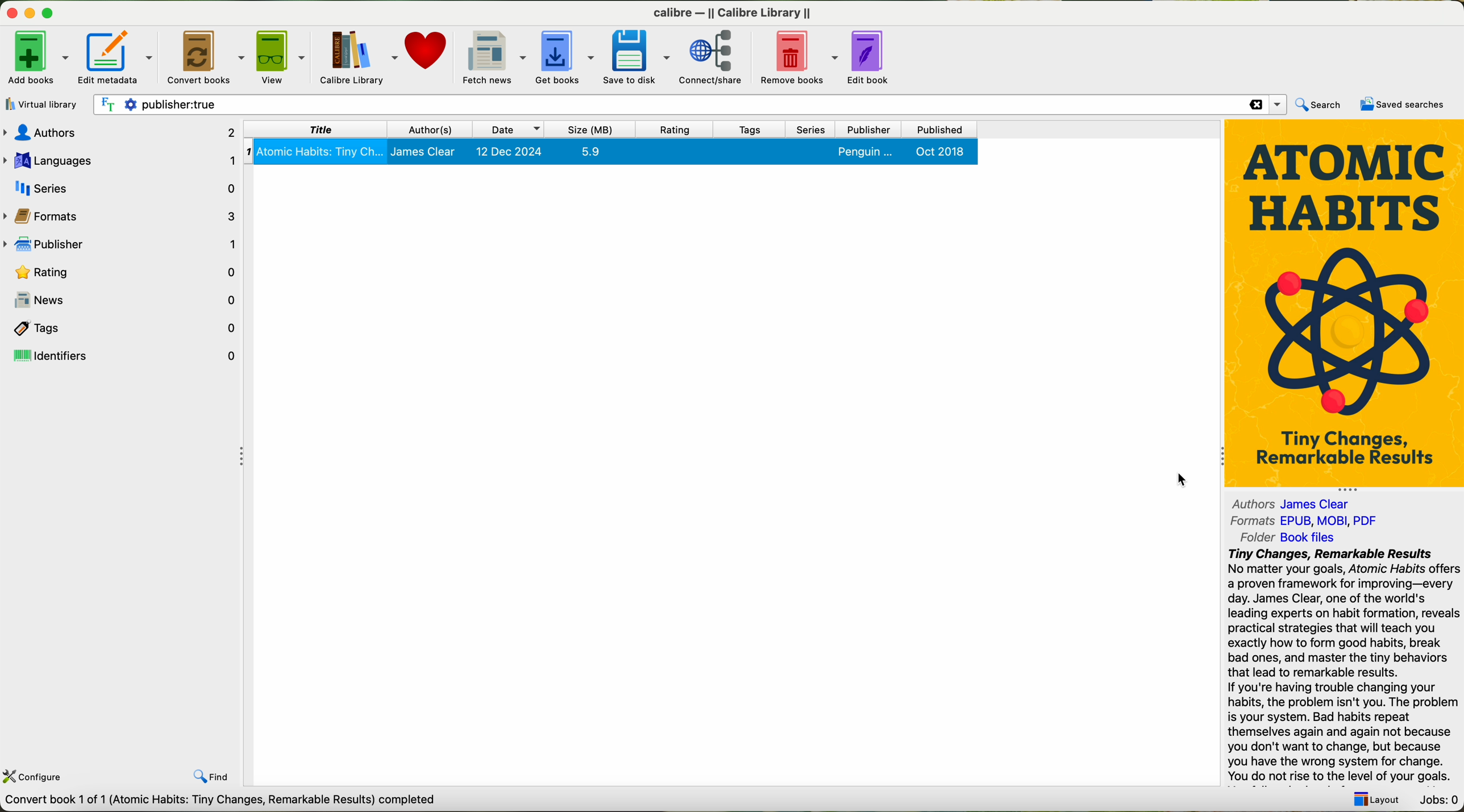 The height and width of the screenshot is (812, 1464). What do you see at coordinates (231, 803) in the screenshot?
I see `data` at bounding box center [231, 803].